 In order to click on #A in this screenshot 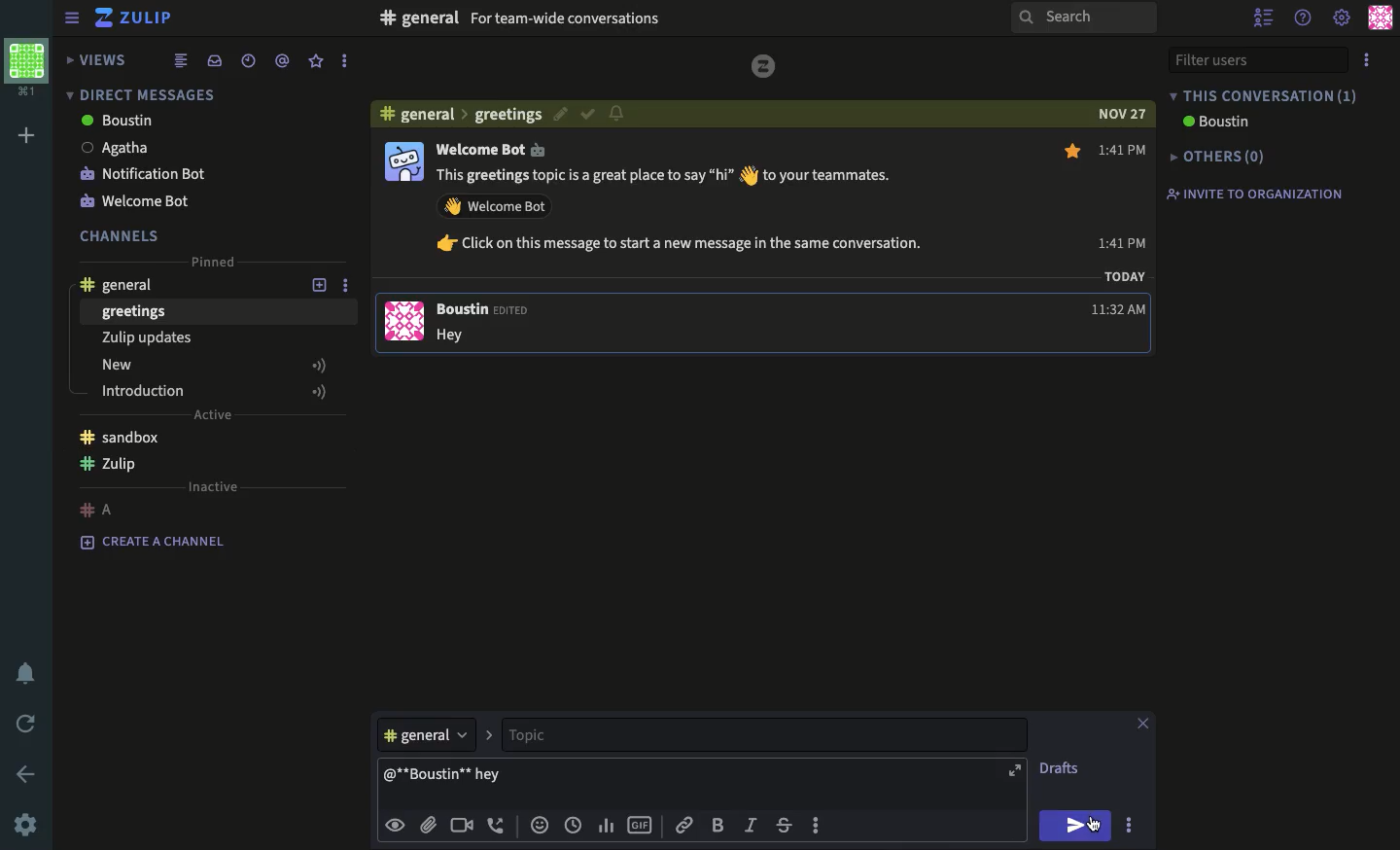, I will do `click(100, 506)`.